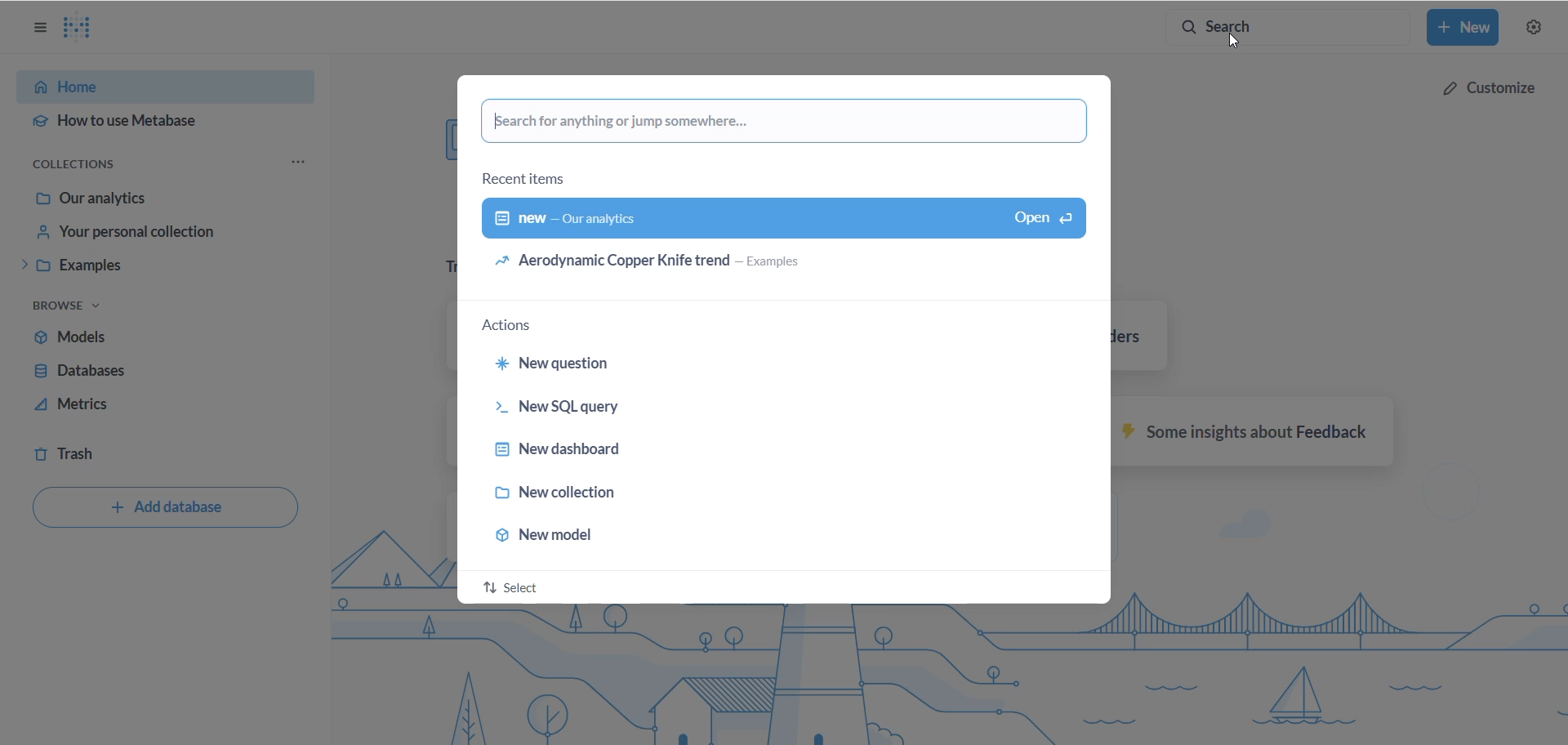 The height and width of the screenshot is (745, 1568). I want to click on search text box, so click(790, 122).